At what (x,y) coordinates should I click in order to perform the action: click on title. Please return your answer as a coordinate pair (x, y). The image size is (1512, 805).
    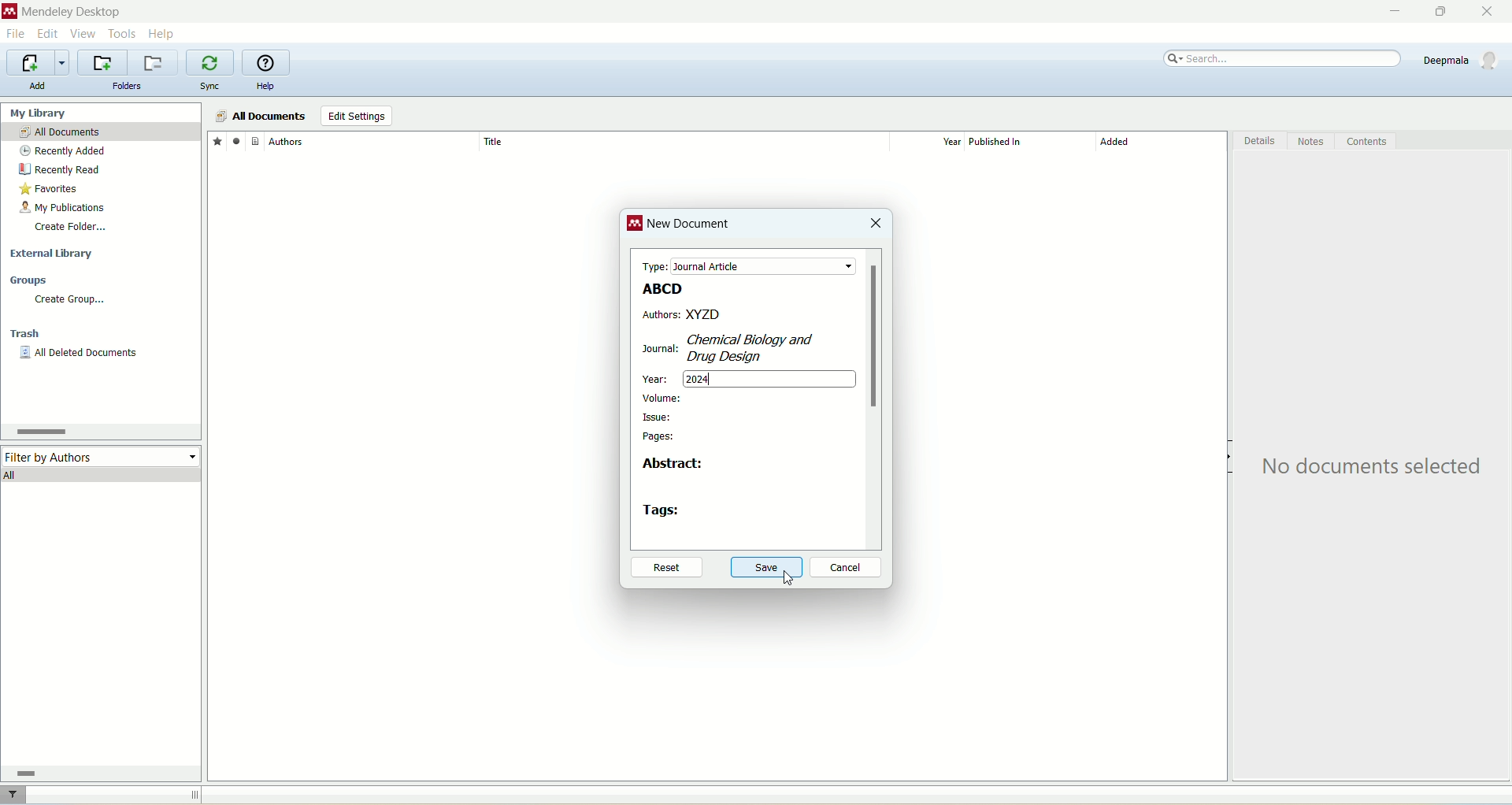
    Looking at the image, I should click on (683, 141).